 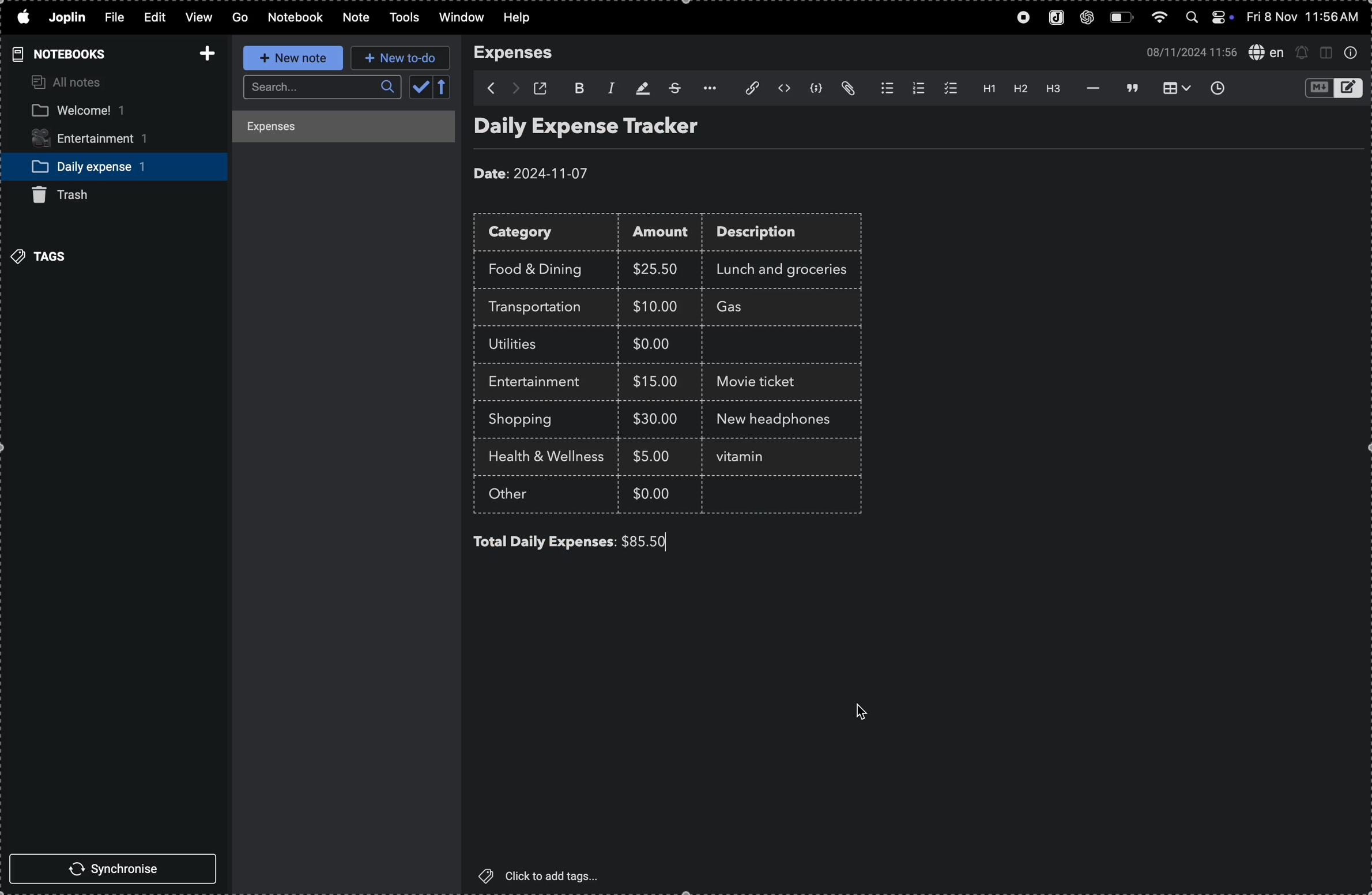 What do you see at coordinates (521, 53) in the screenshot?
I see `expenses` at bounding box center [521, 53].